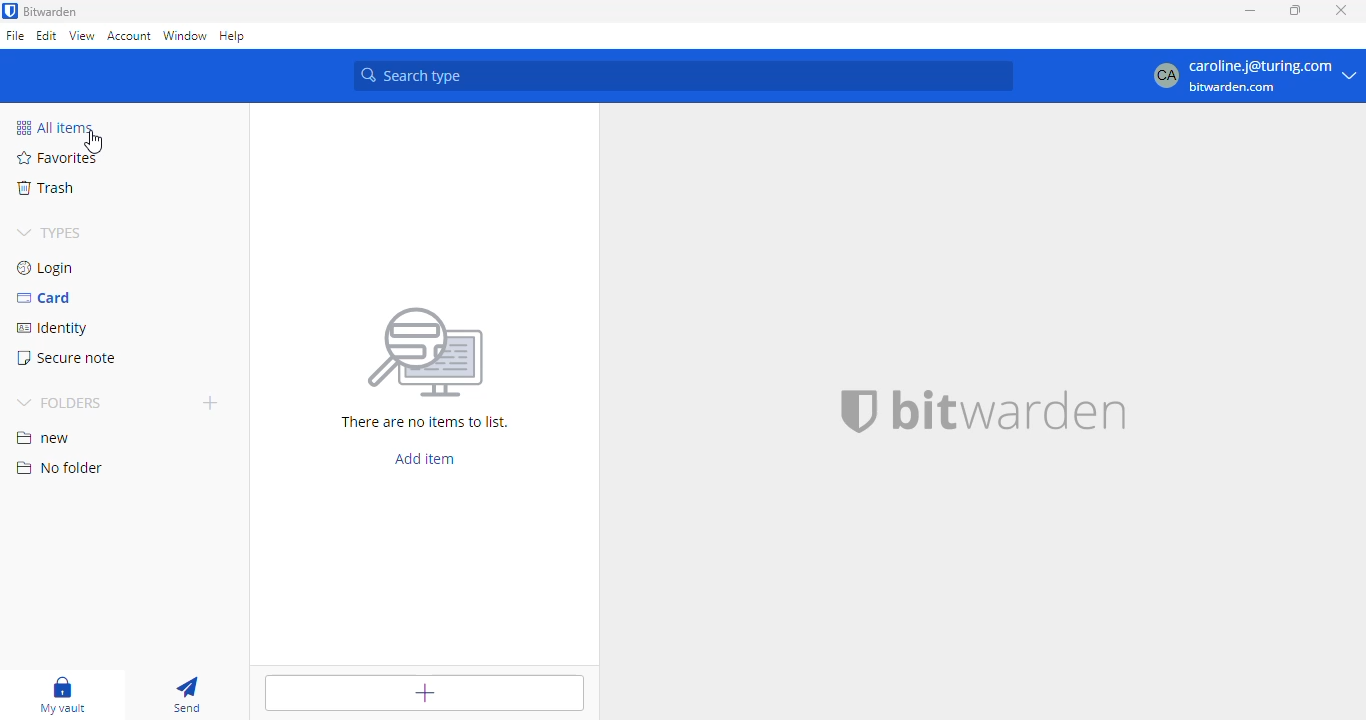  What do you see at coordinates (210, 403) in the screenshot?
I see `add folder` at bounding box center [210, 403].